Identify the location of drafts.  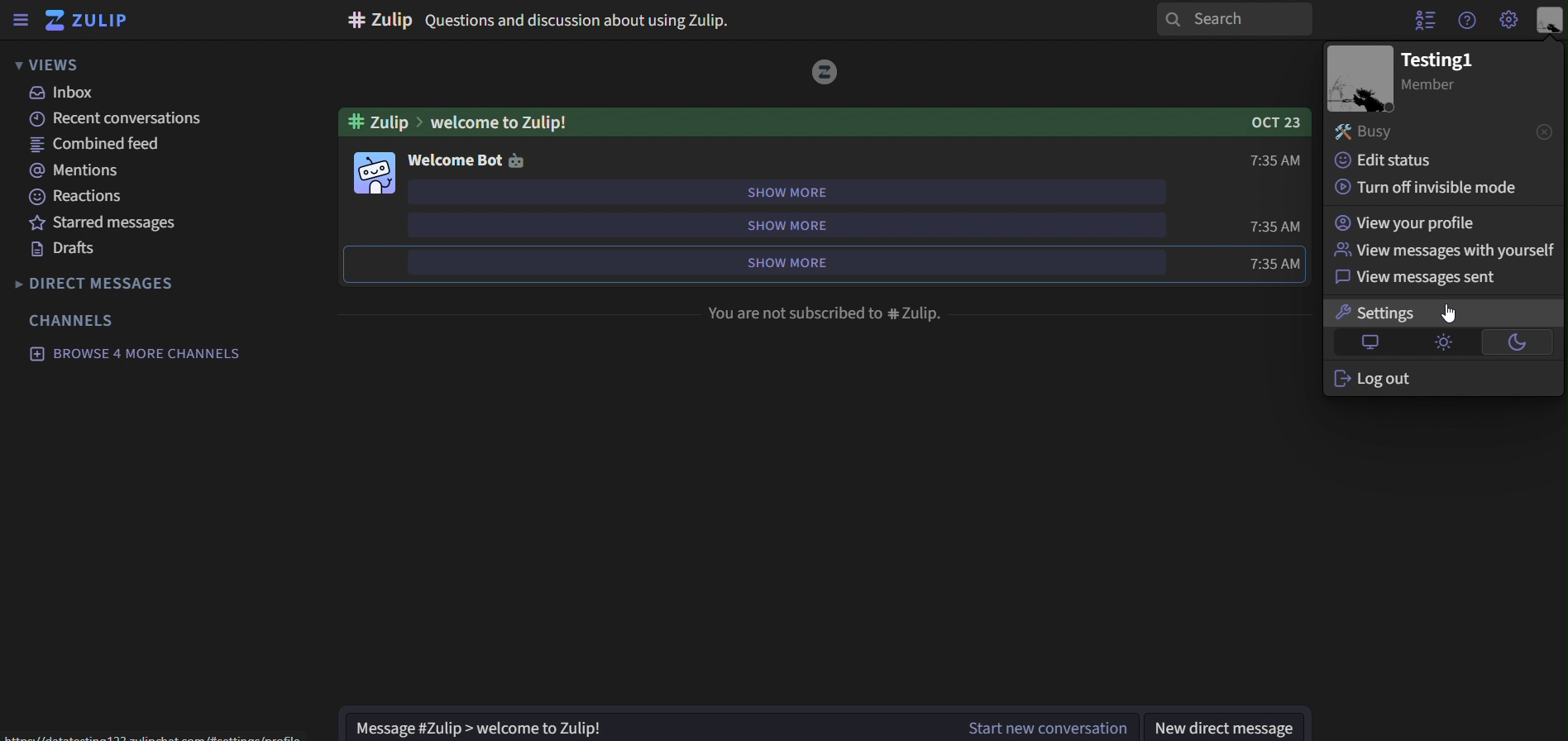
(69, 250).